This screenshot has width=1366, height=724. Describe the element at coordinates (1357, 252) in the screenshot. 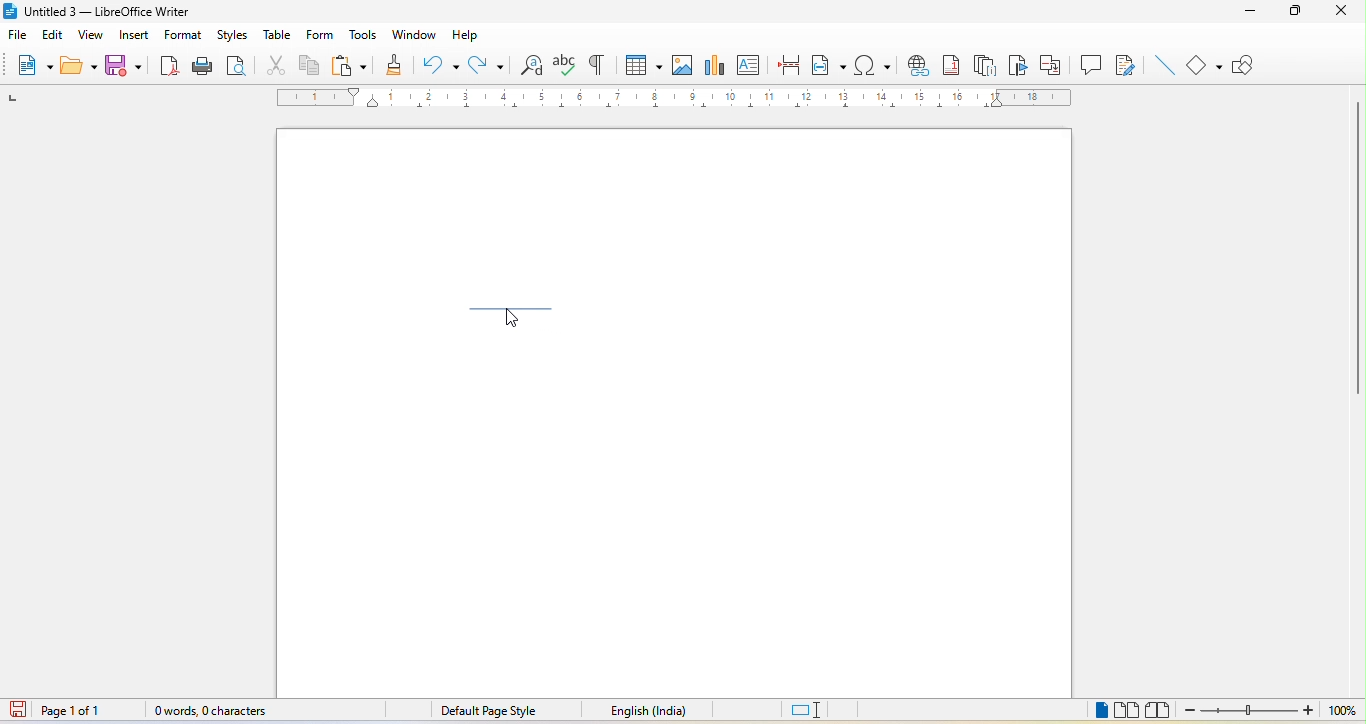

I see `vertical scroll bar` at that location.